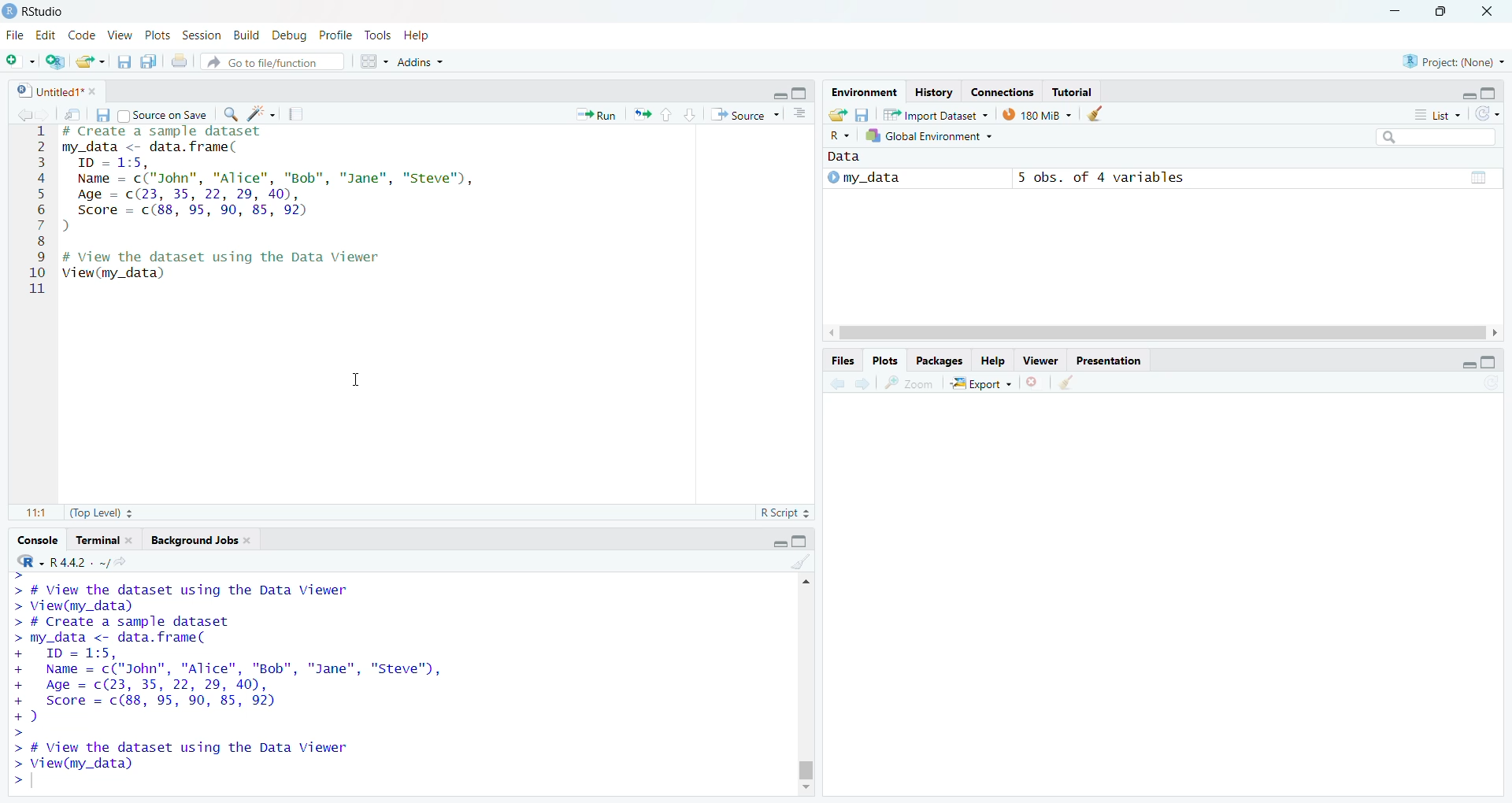 Image resolution: width=1512 pixels, height=803 pixels. Describe the element at coordinates (799, 542) in the screenshot. I see `Maximize` at that location.